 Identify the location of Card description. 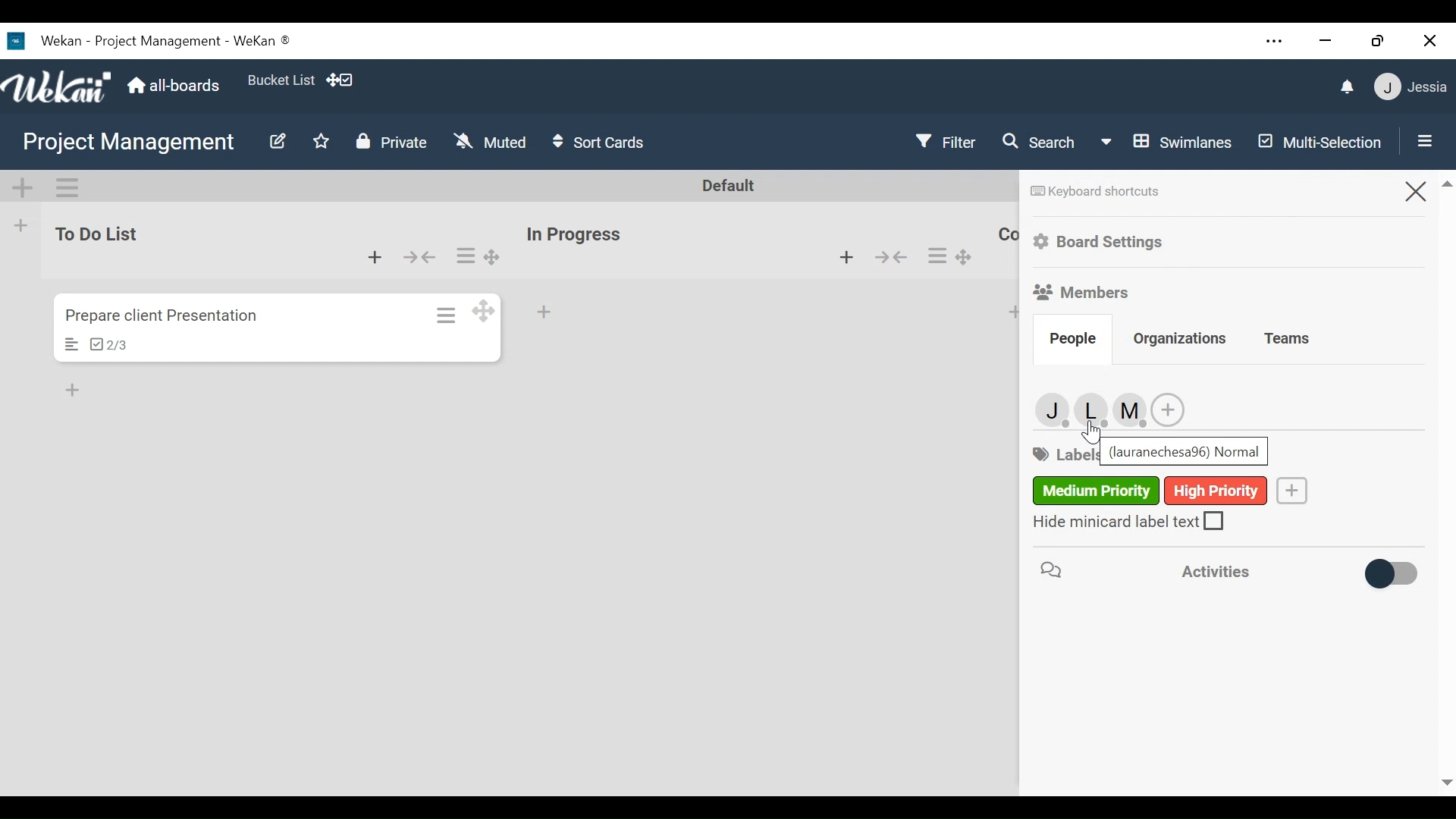
(72, 344).